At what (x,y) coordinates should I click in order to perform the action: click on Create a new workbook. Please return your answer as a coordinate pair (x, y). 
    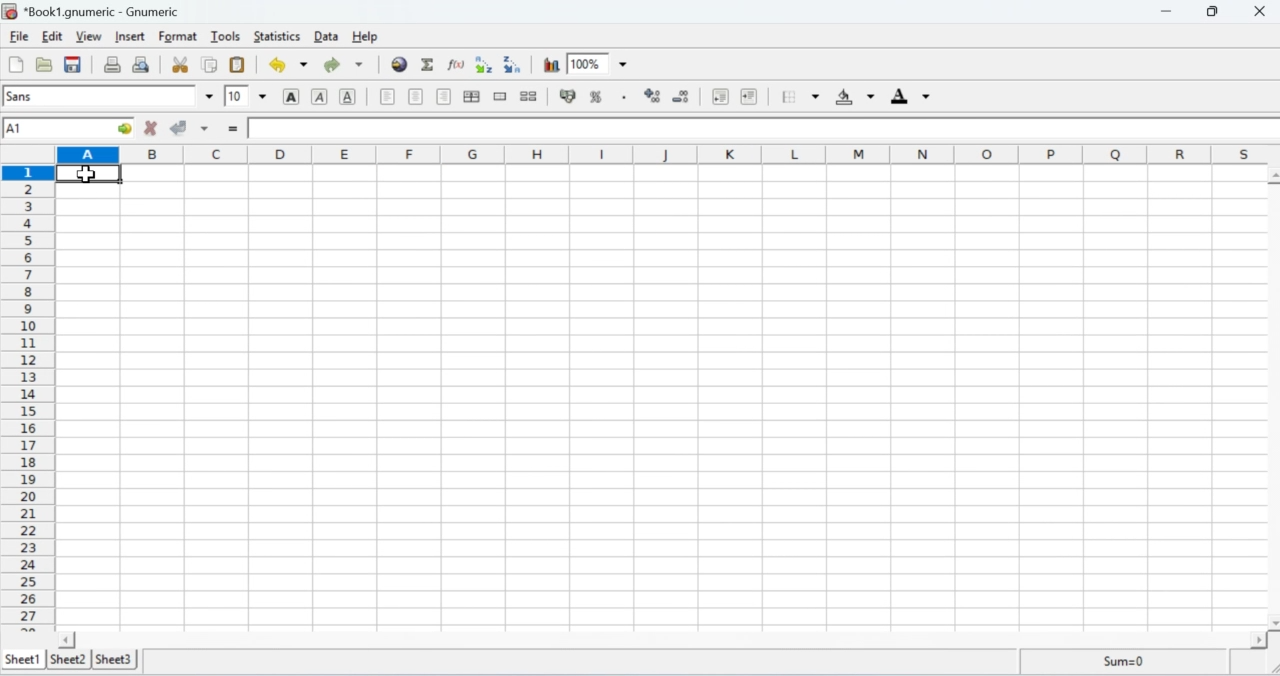
    Looking at the image, I should click on (14, 64).